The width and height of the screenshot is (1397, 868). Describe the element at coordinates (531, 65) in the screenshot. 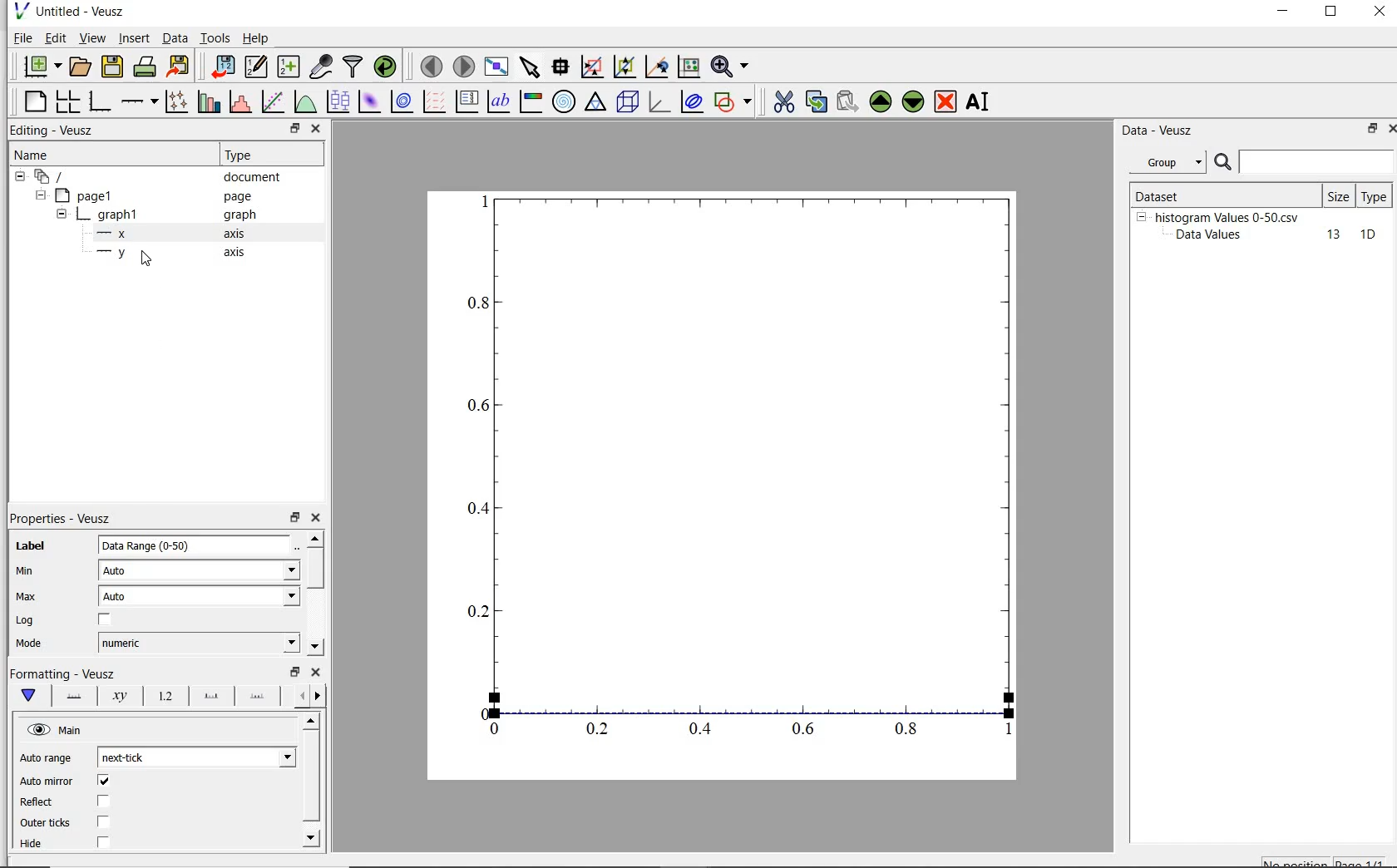

I see `select items from the graph scroll` at that location.